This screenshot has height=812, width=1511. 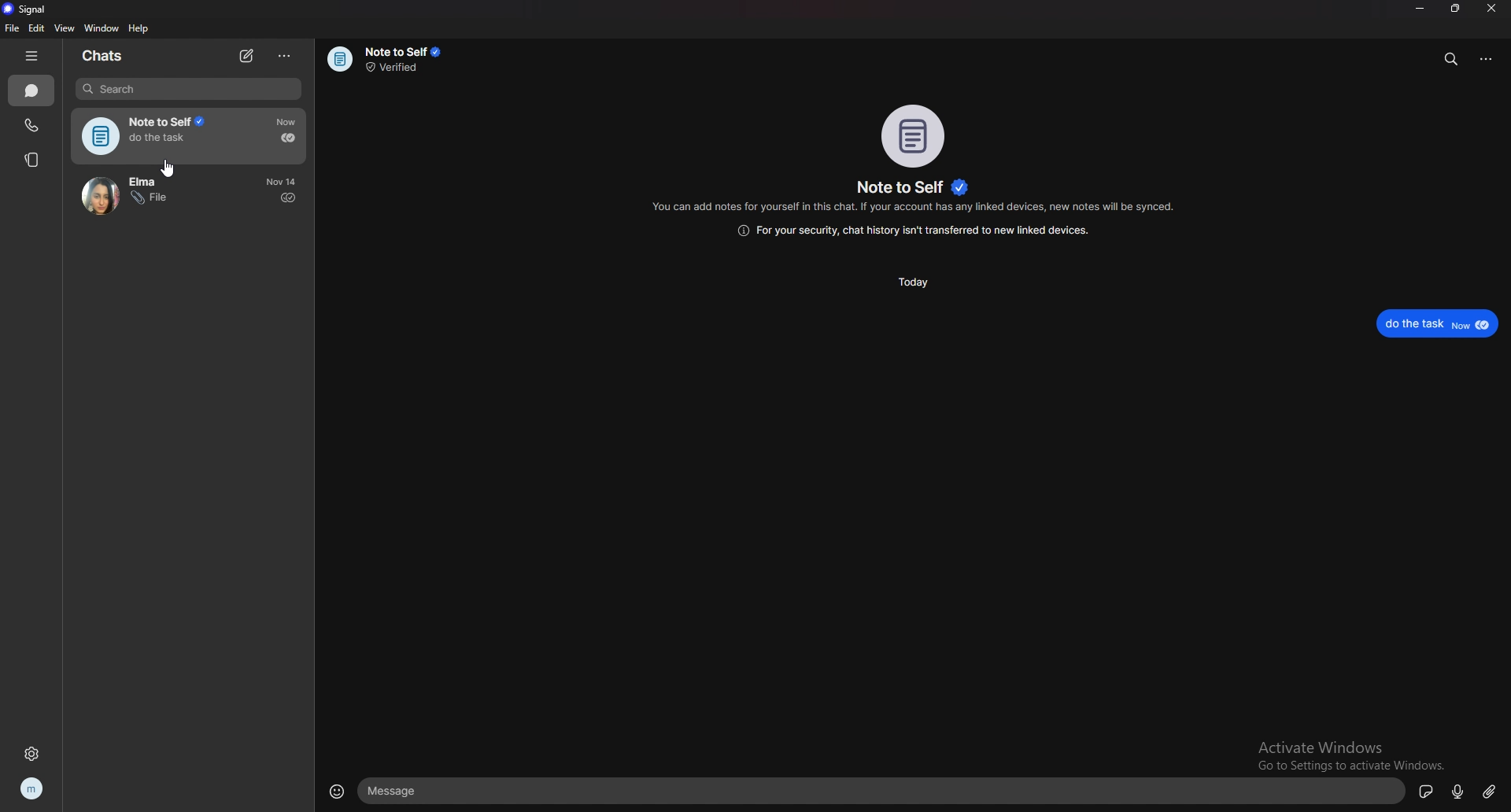 I want to click on new chat, so click(x=248, y=57).